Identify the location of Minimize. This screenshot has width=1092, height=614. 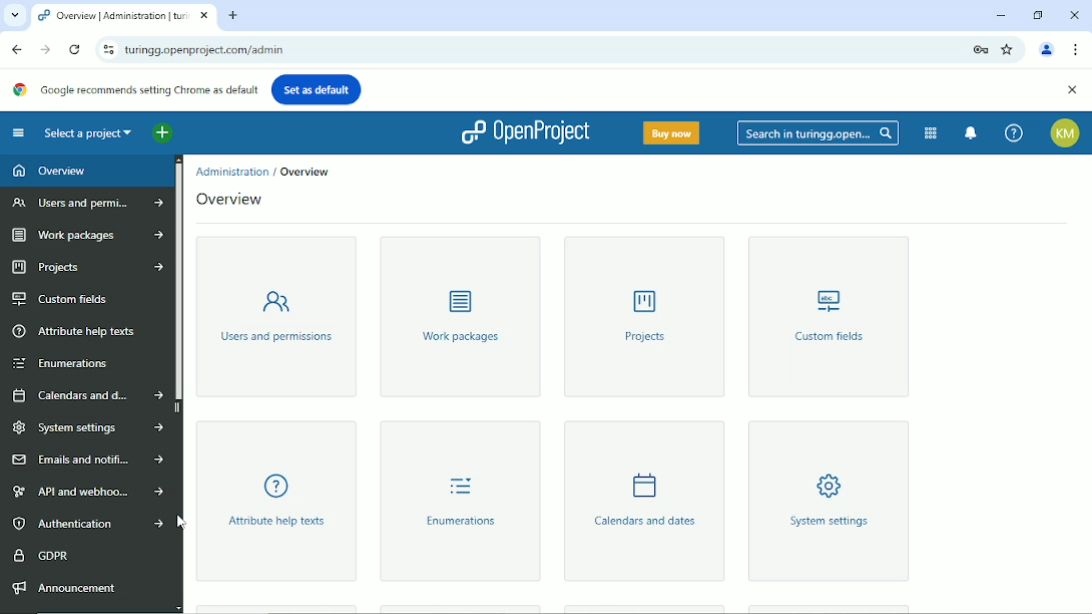
(1001, 15).